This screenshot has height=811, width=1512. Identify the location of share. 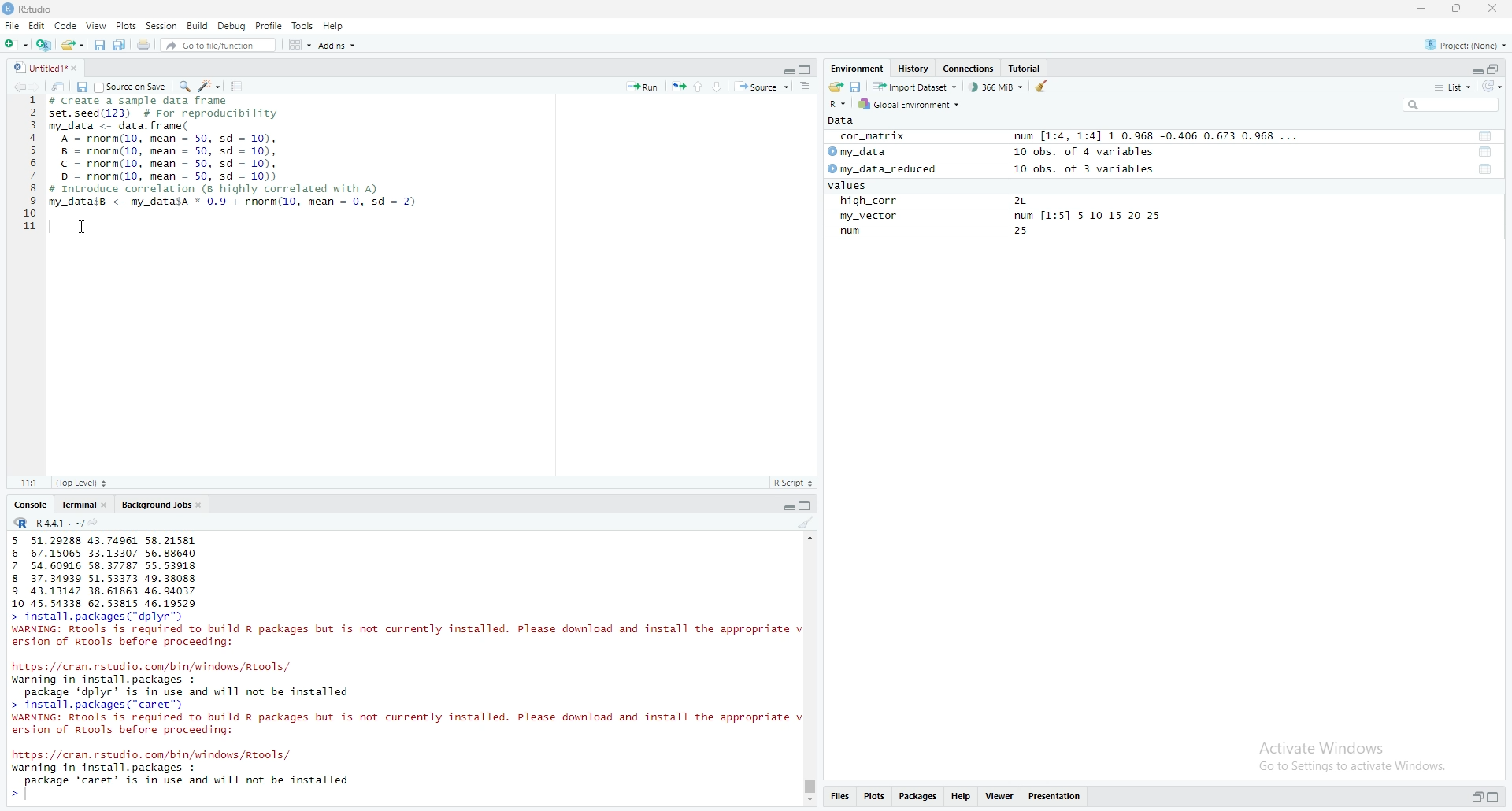
(144, 43).